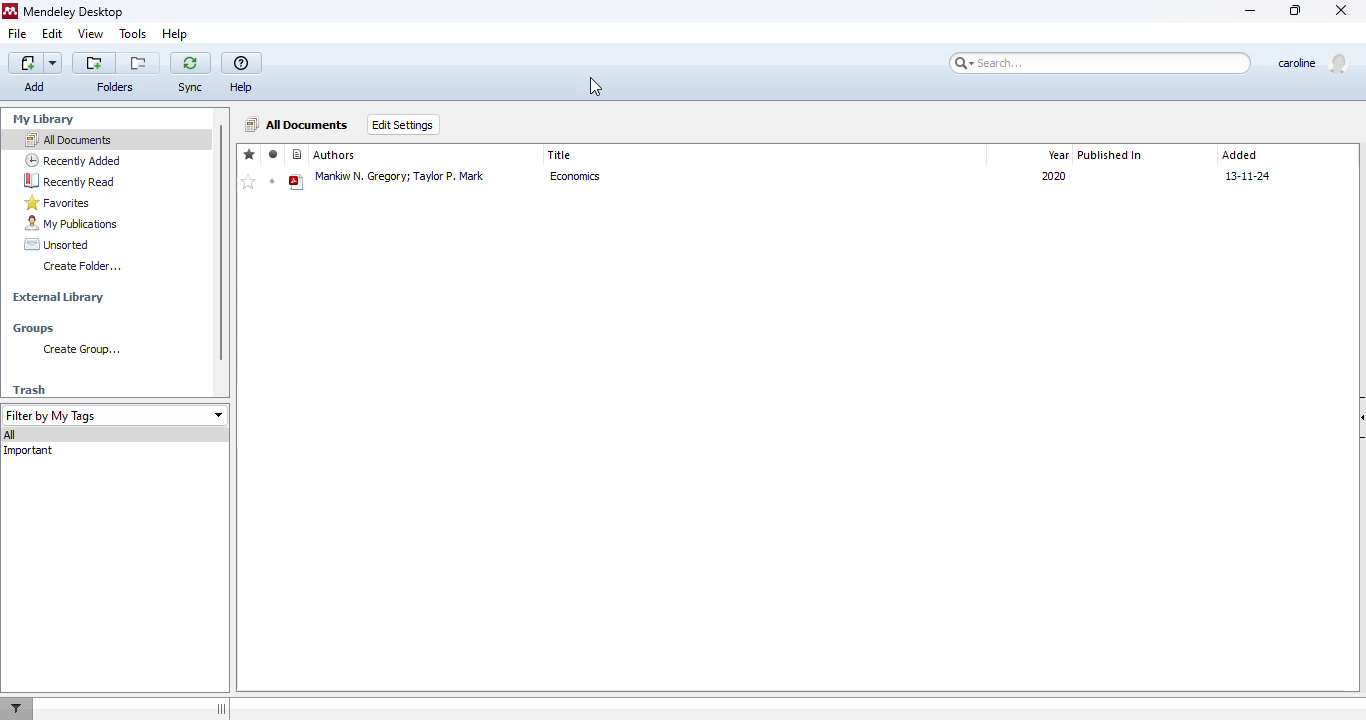  Describe the element at coordinates (57, 244) in the screenshot. I see `unsorted` at that location.